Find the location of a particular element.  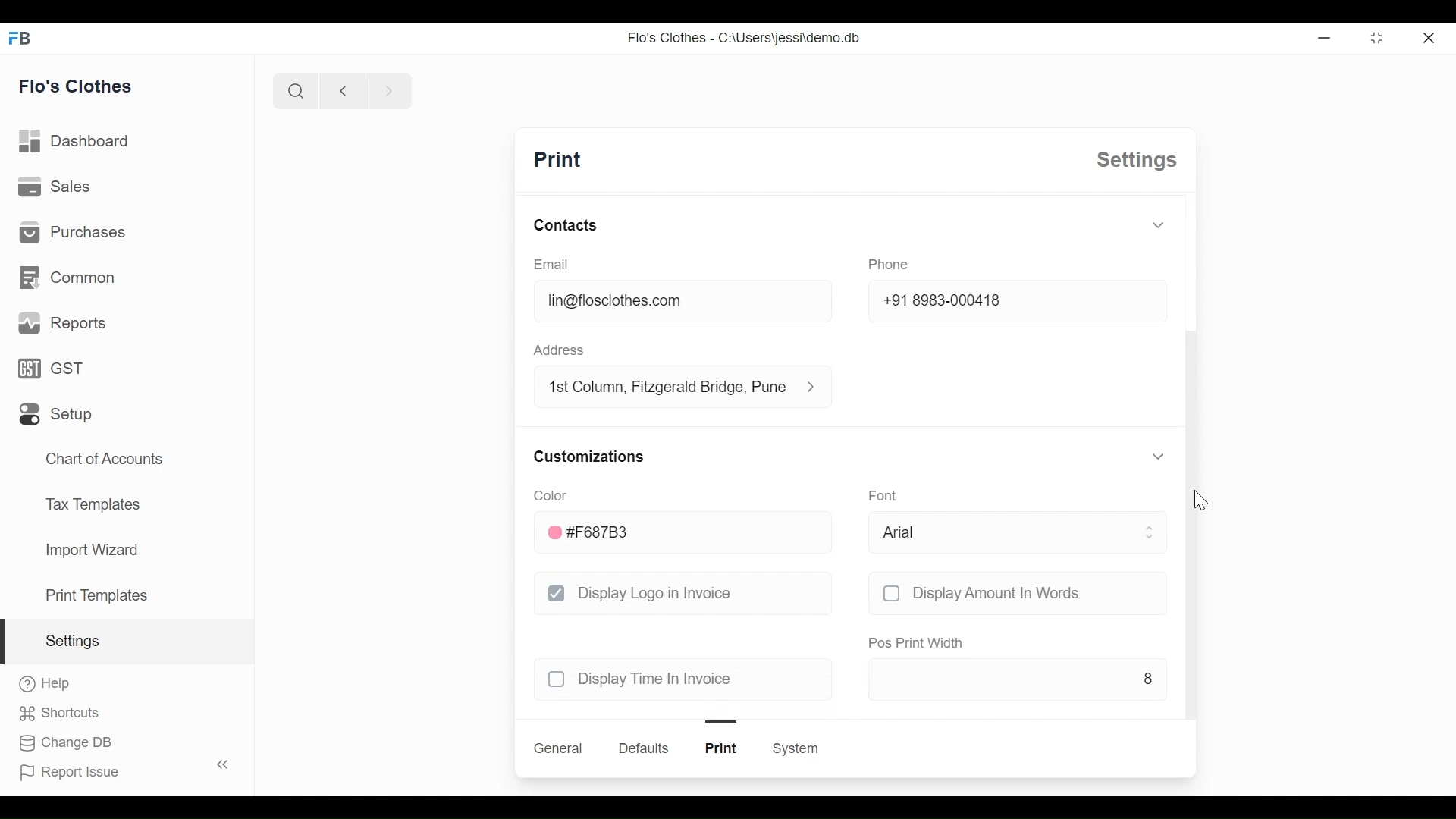

#F687B3 is located at coordinates (686, 532).